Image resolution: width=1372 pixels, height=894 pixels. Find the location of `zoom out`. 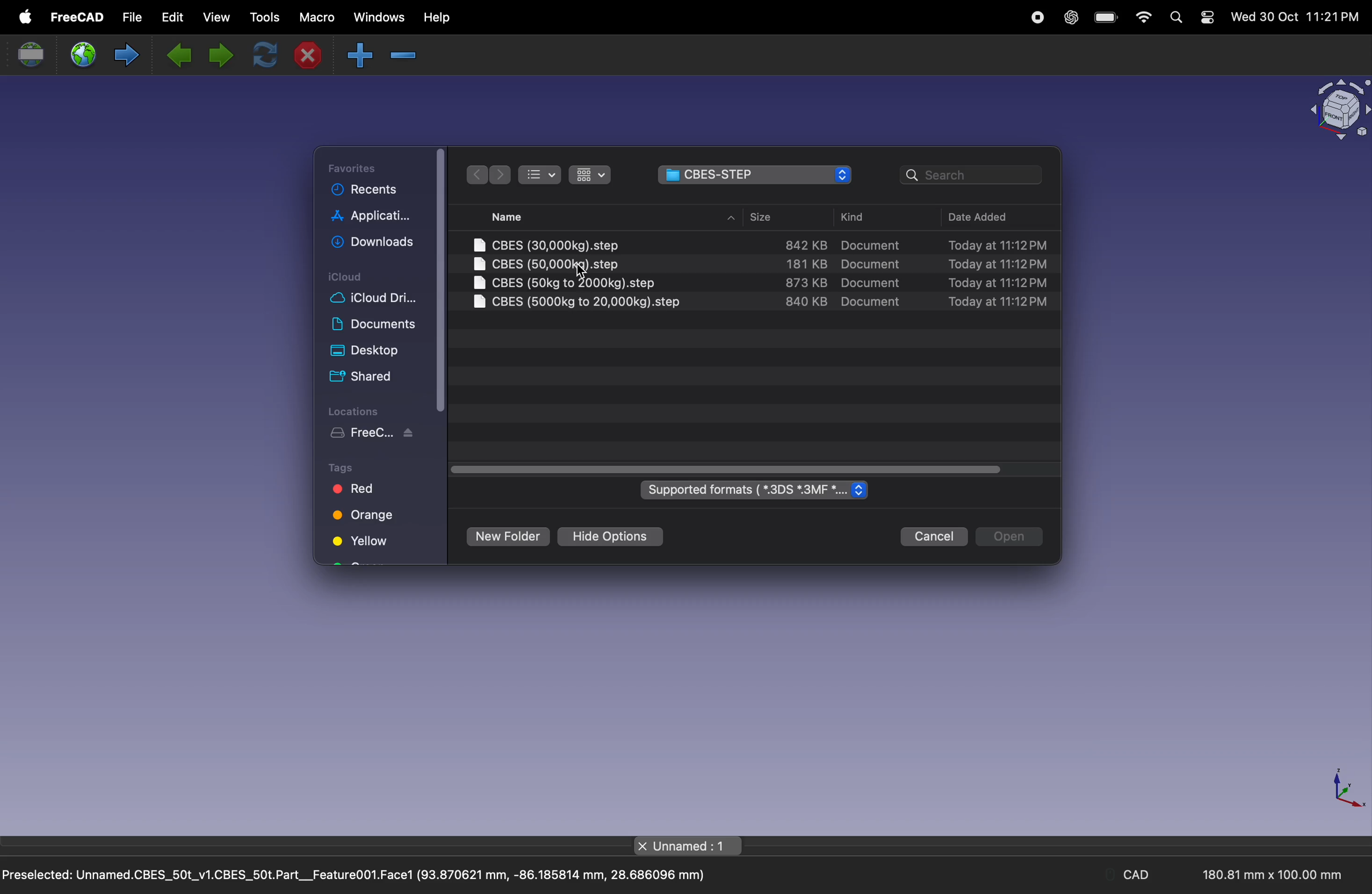

zoom out is located at coordinates (359, 55).